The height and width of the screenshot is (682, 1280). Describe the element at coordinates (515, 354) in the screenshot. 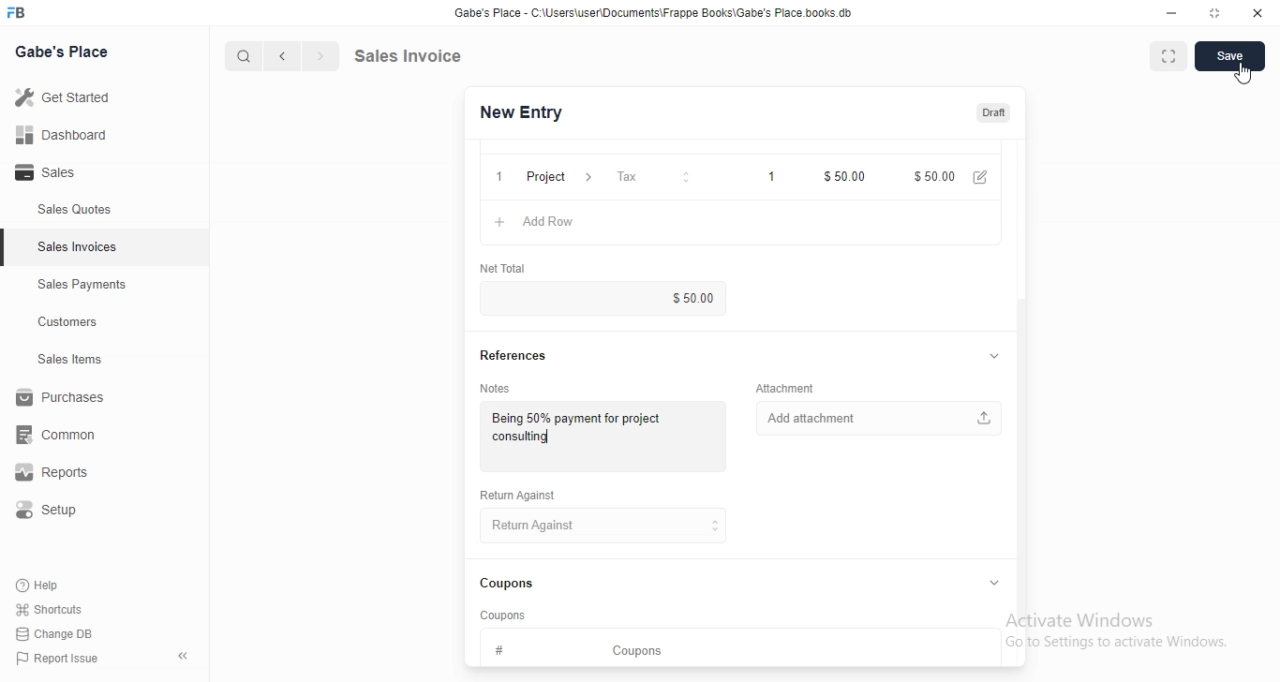

I see `References` at that location.